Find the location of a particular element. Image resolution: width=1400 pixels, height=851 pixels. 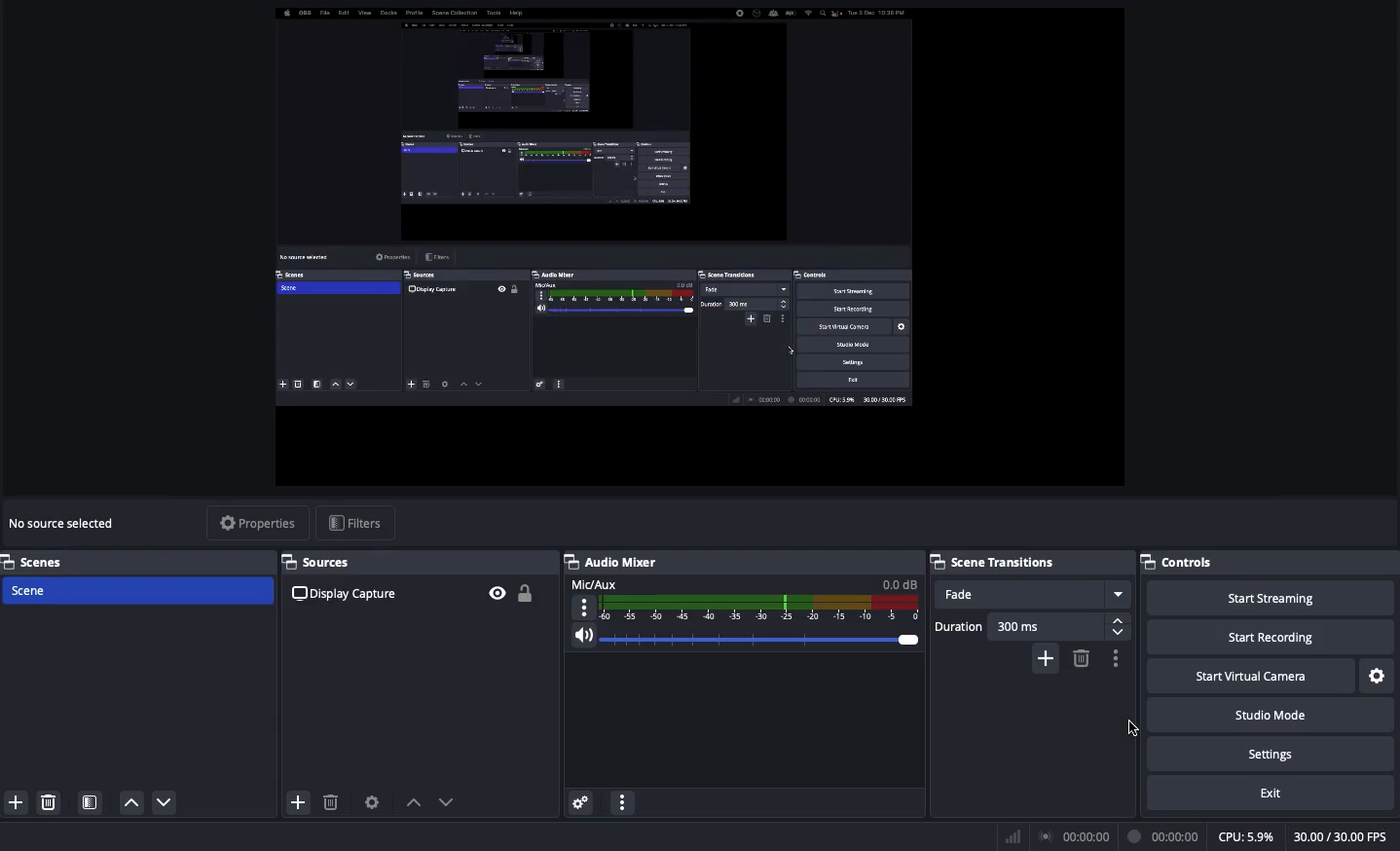

Add is located at coordinates (299, 801).